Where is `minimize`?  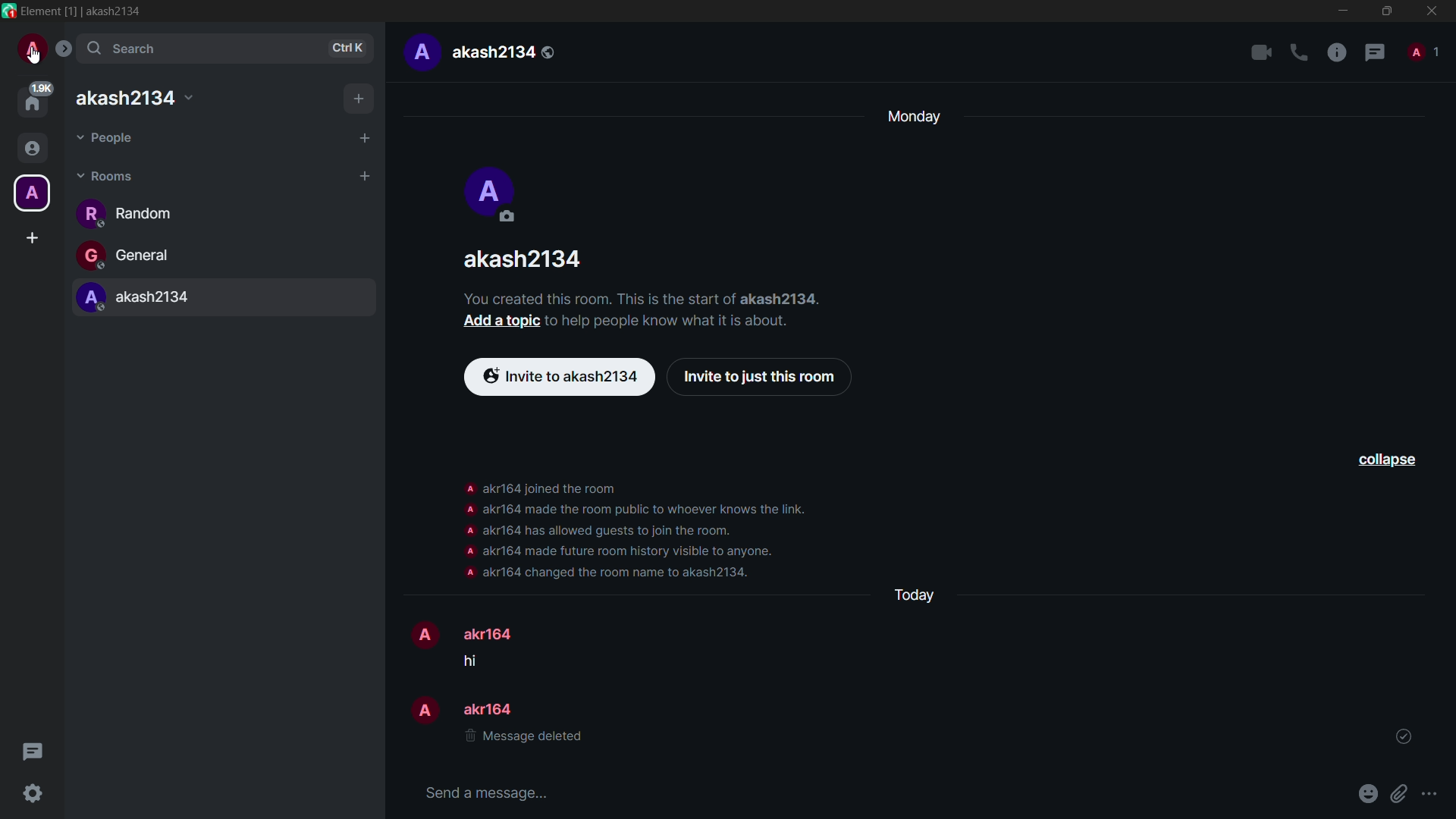
minimize is located at coordinates (1345, 11).